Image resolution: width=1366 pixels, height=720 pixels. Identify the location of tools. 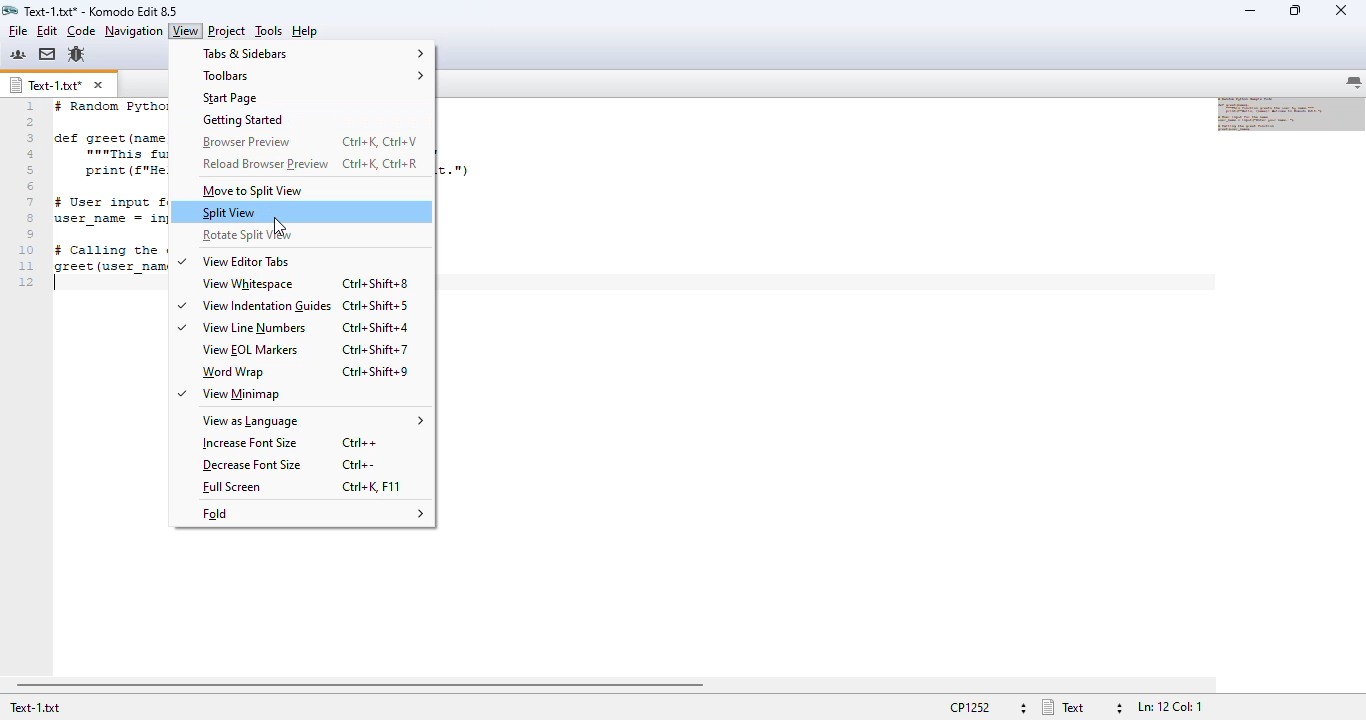
(269, 30).